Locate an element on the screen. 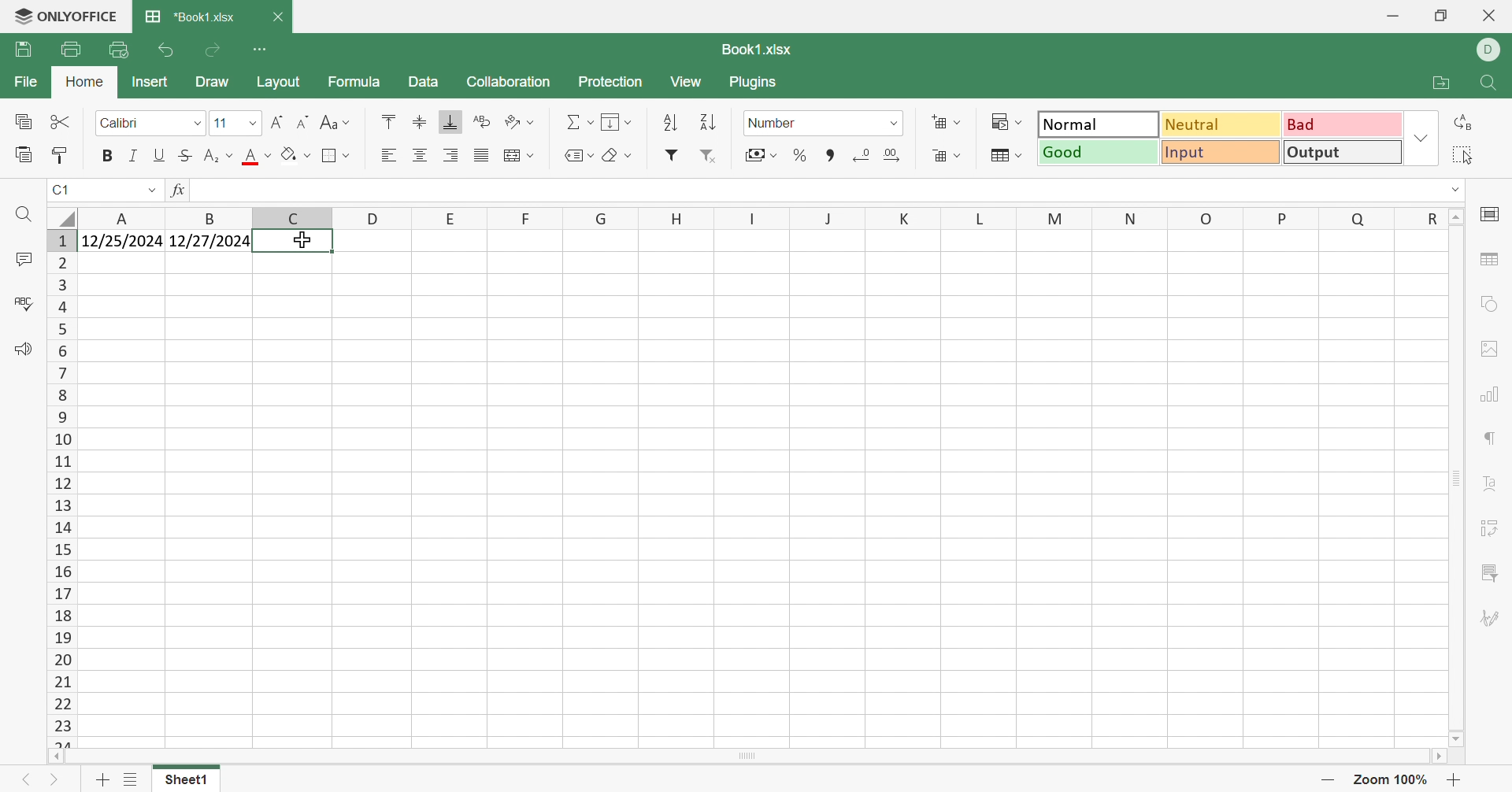 The height and width of the screenshot is (792, 1512). Scroll Bar is located at coordinates (747, 757).